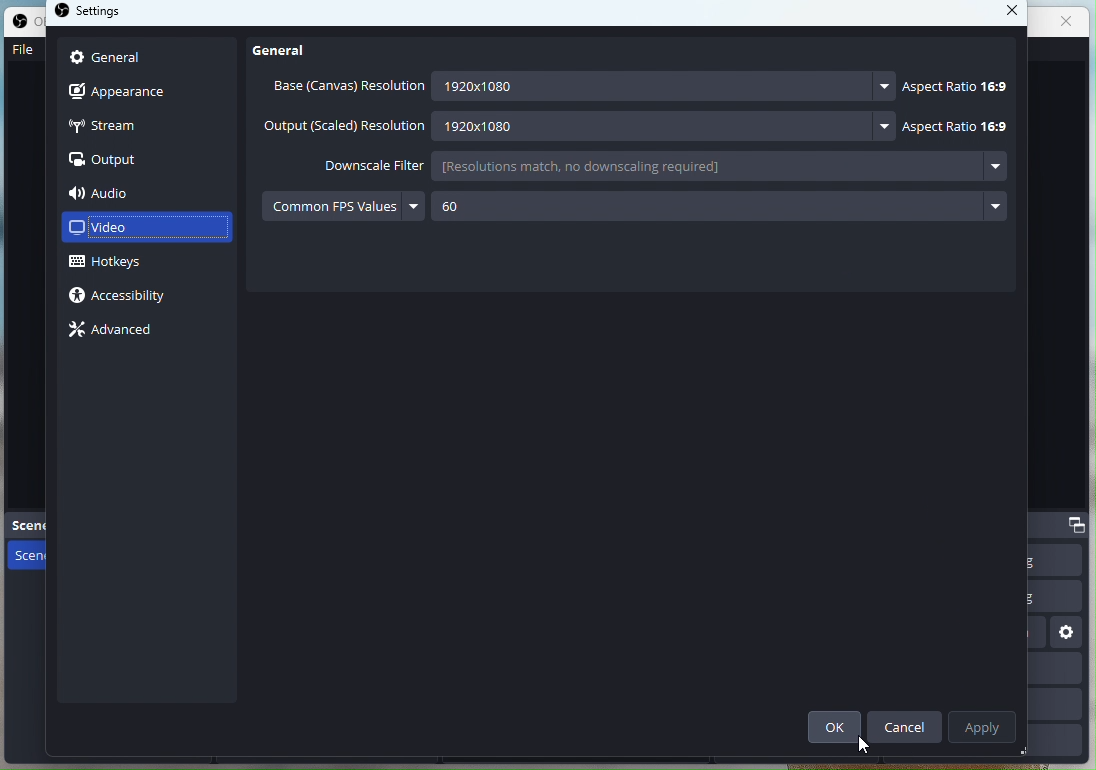 This screenshot has width=1096, height=770. Describe the element at coordinates (655, 125) in the screenshot. I see `1280x1080` at that location.